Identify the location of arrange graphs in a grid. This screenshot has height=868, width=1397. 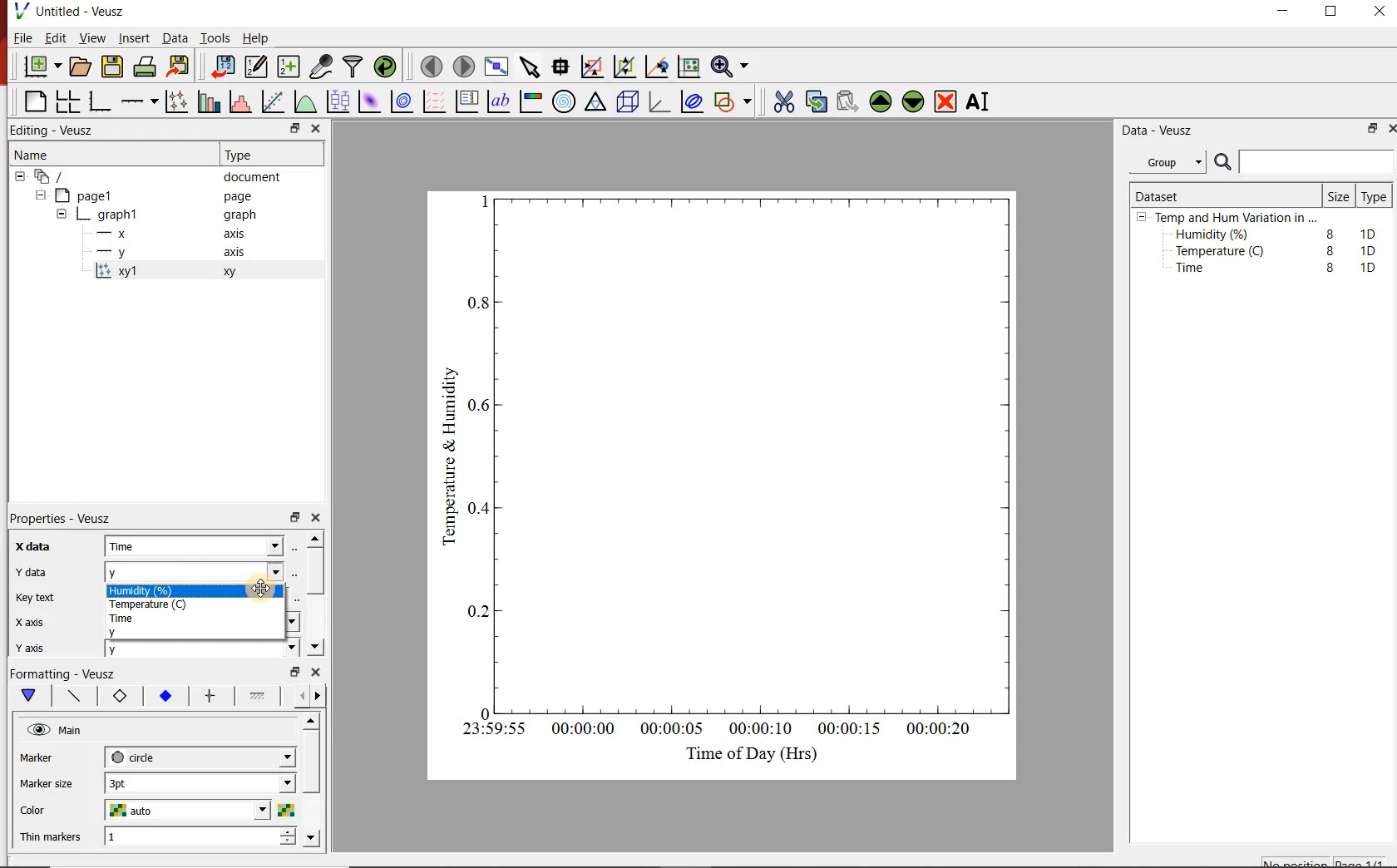
(70, 99).